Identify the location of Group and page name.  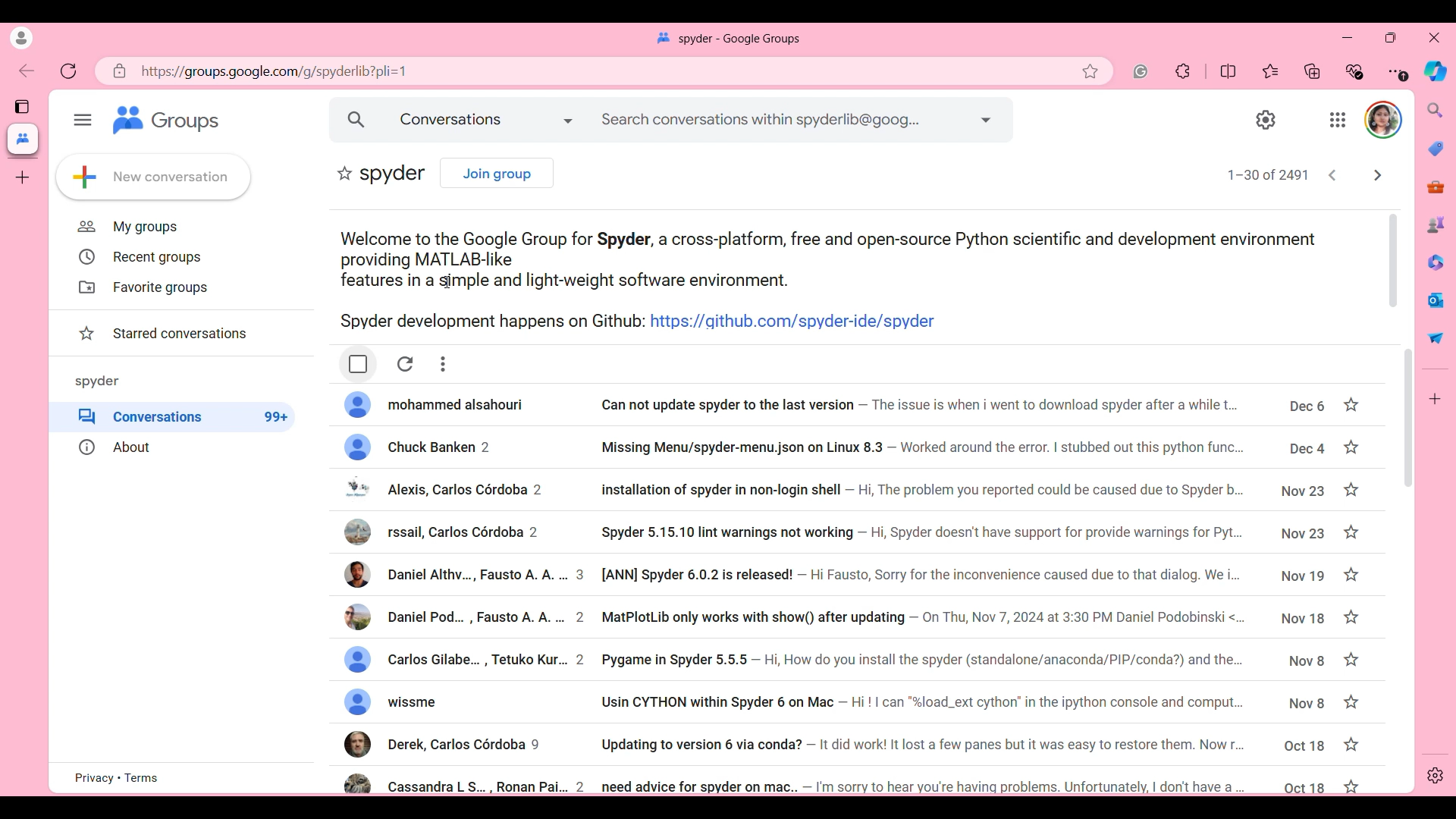
(728, 39).